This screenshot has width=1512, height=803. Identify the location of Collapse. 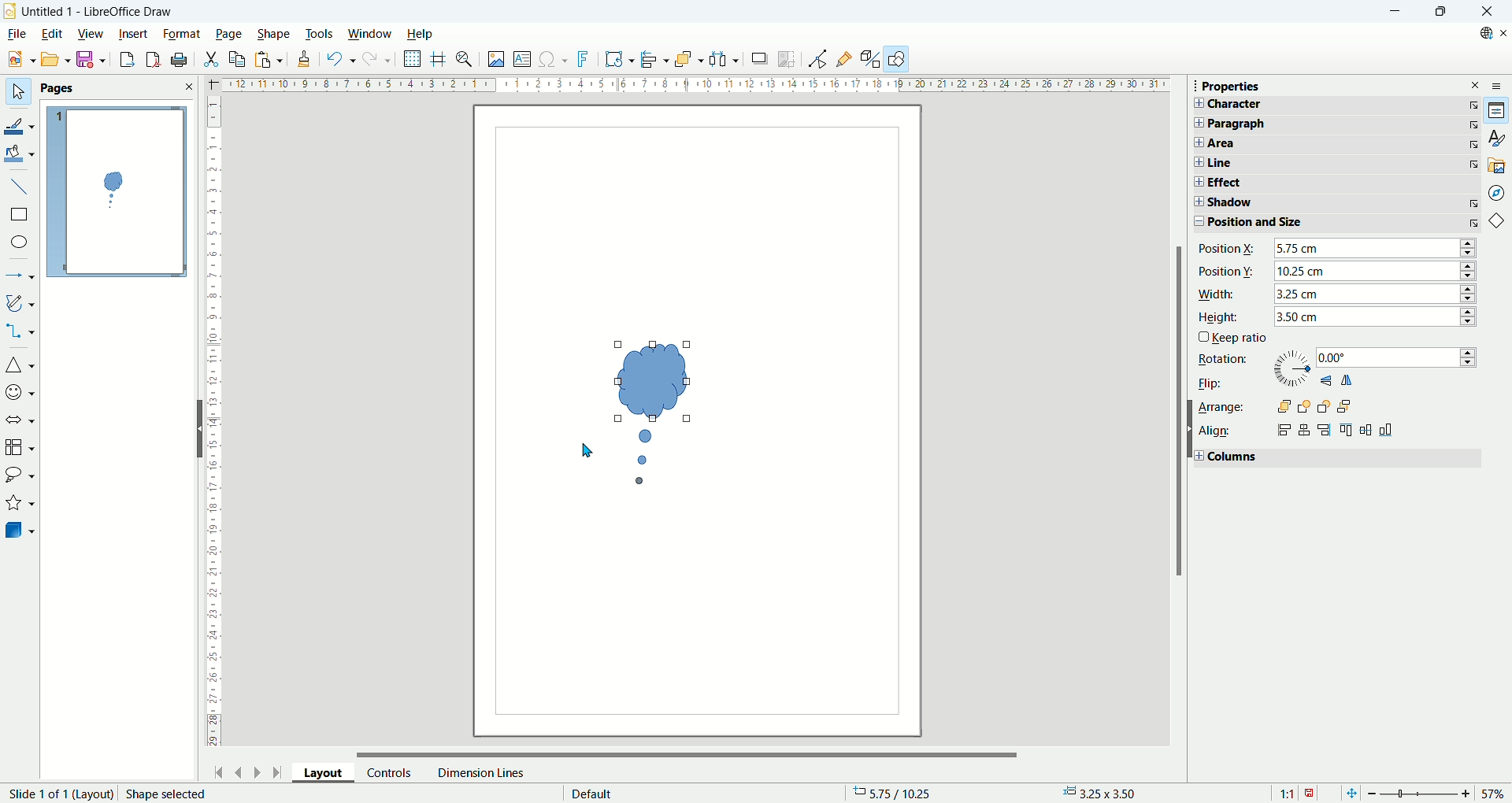
(1195, 223).